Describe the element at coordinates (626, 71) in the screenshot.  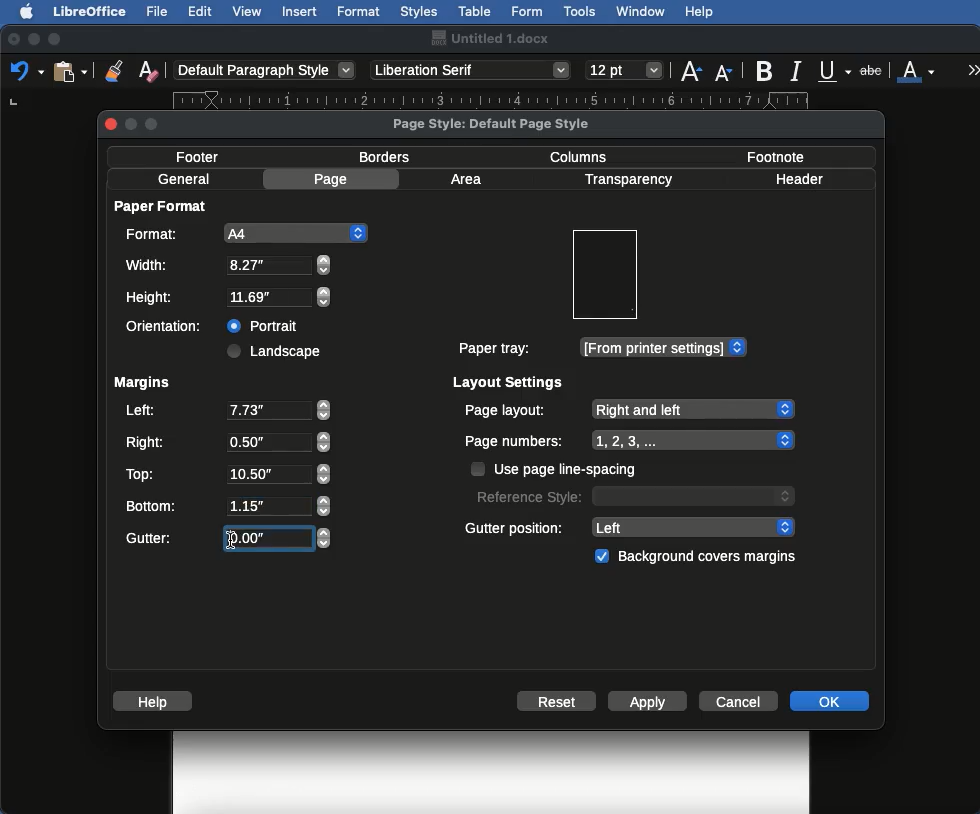
I see `Size` at that location.